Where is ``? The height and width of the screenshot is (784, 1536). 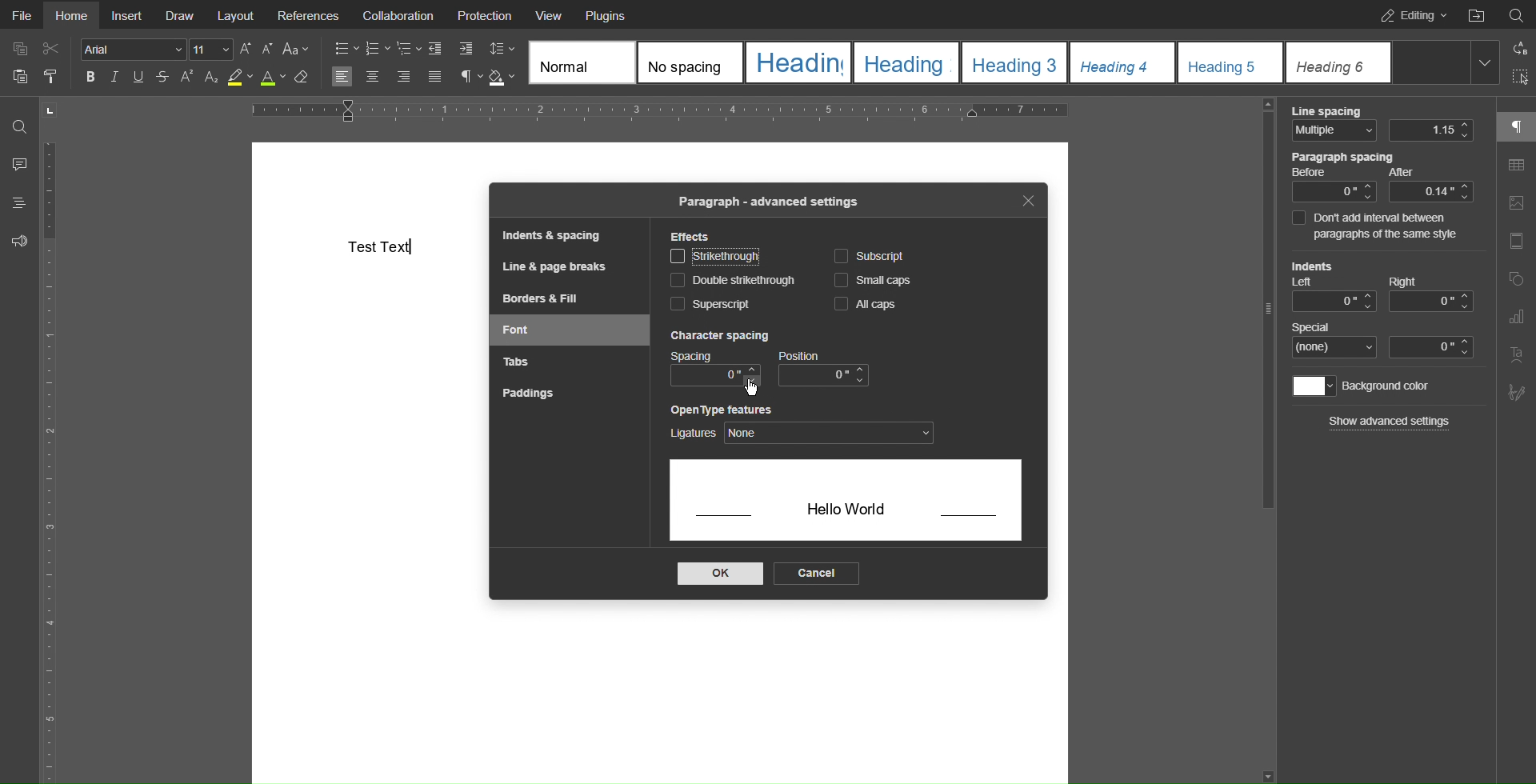  is located at coordinates (749, 390).